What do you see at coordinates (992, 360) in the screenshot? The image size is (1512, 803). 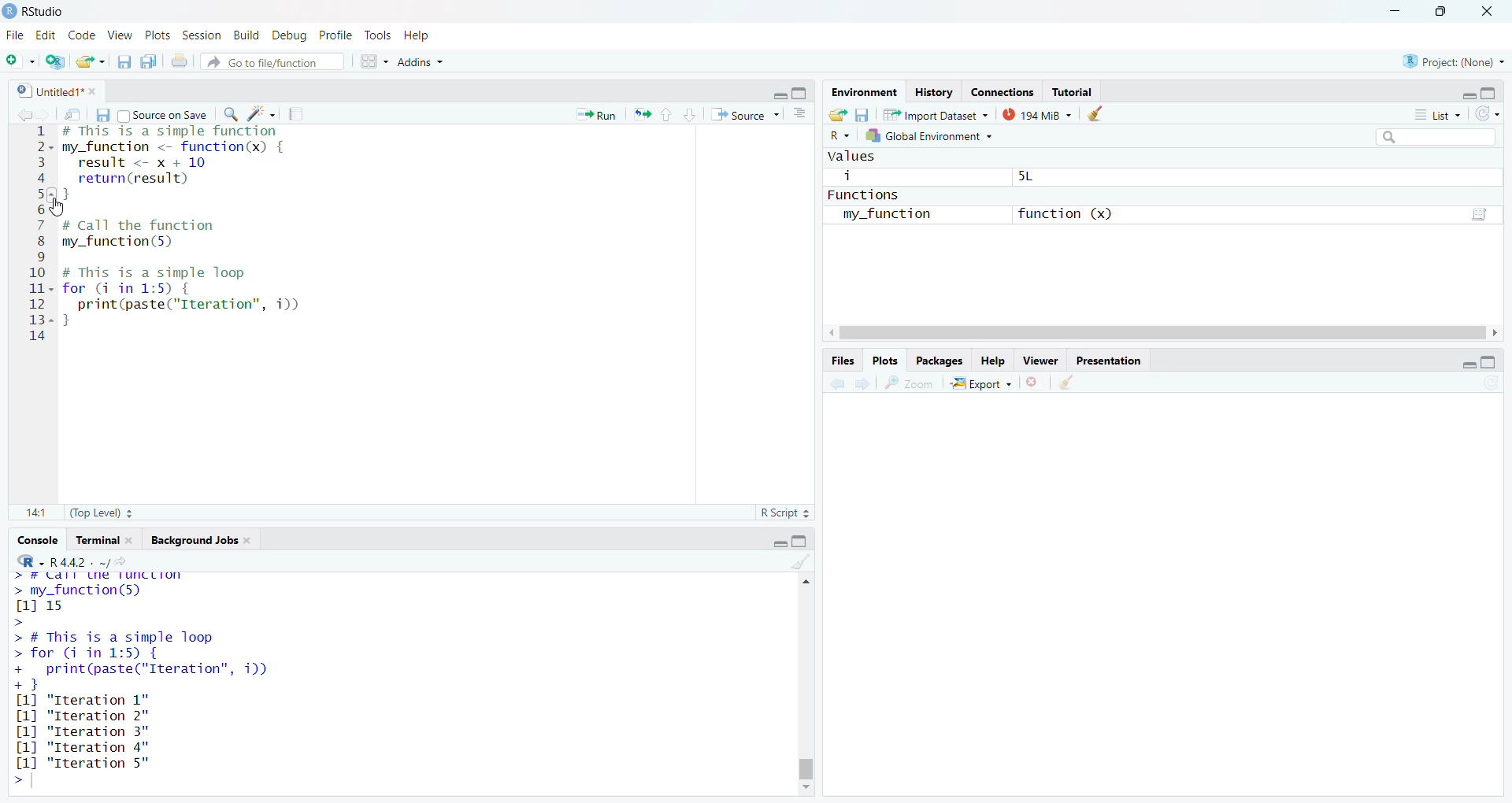 I see `help` at bounding box center [992, 360].